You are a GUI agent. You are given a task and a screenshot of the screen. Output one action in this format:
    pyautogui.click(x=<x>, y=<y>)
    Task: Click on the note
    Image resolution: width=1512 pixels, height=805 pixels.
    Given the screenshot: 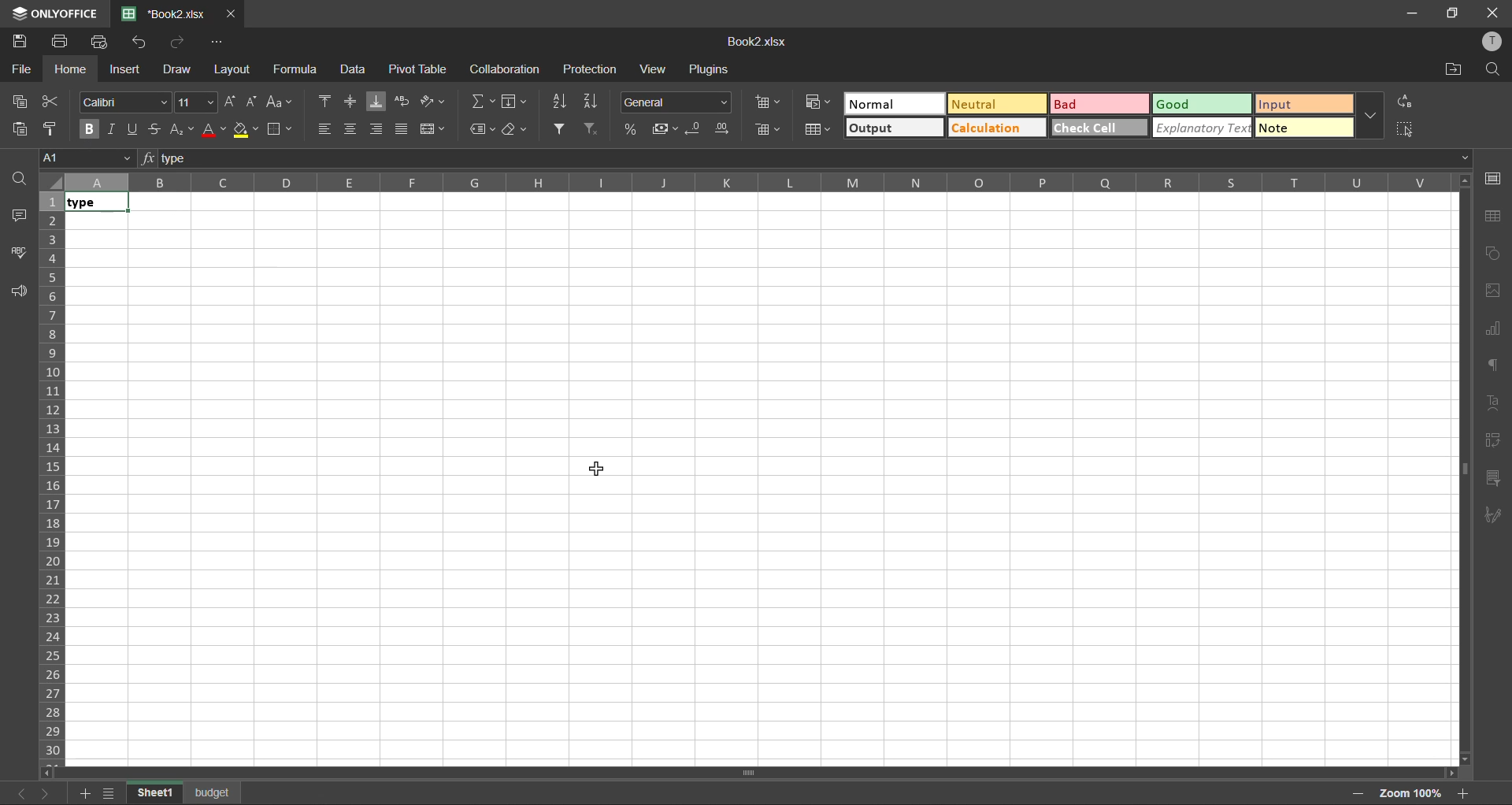 What is the action you would take?
    pyautogui.click(x=1303, y=129)
    